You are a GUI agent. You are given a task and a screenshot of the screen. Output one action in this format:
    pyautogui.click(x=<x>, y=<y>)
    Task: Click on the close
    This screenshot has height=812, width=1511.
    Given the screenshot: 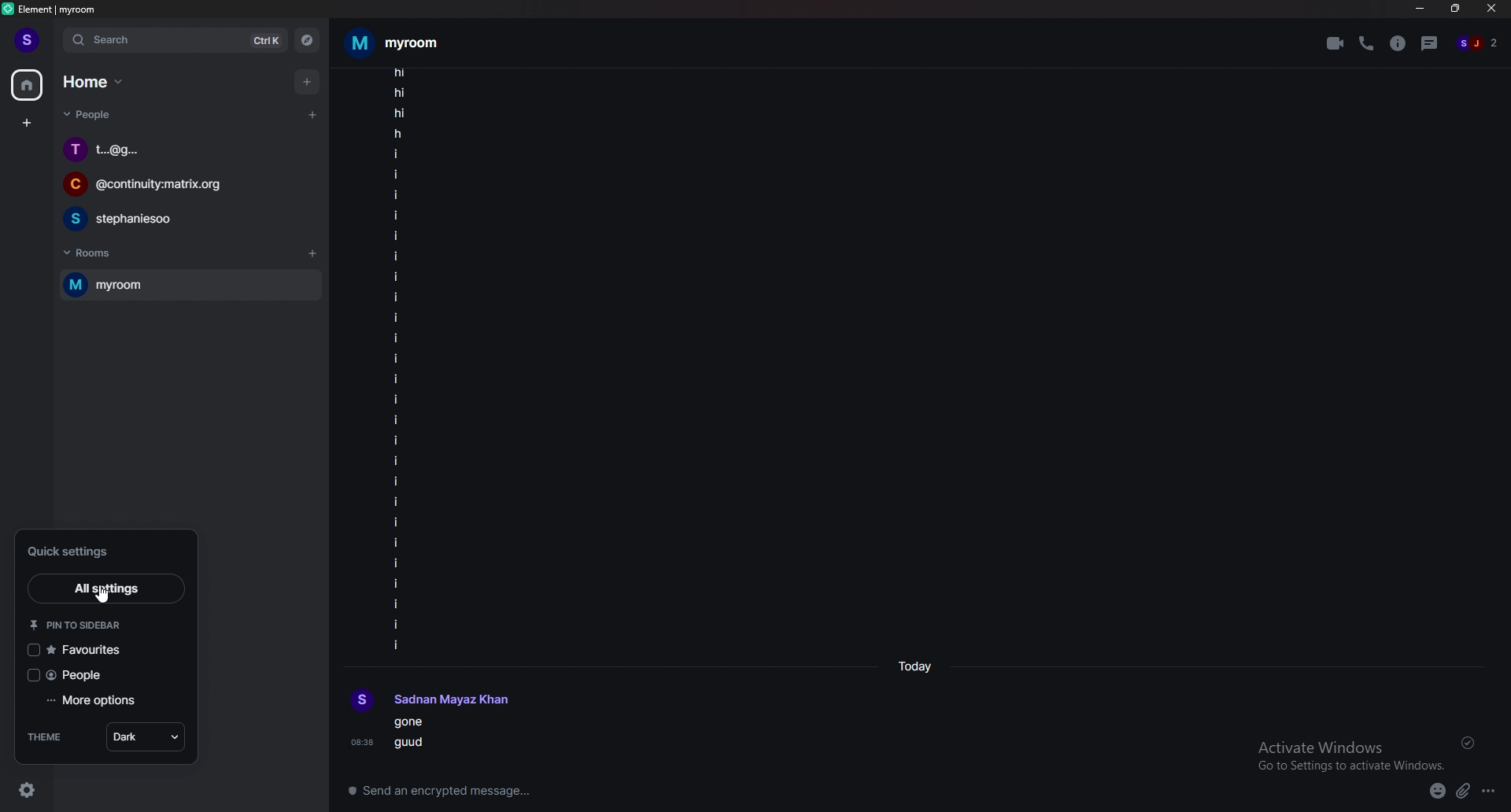 What is the action you would take?
    pyautogui.click(x=1491, y=10)
    